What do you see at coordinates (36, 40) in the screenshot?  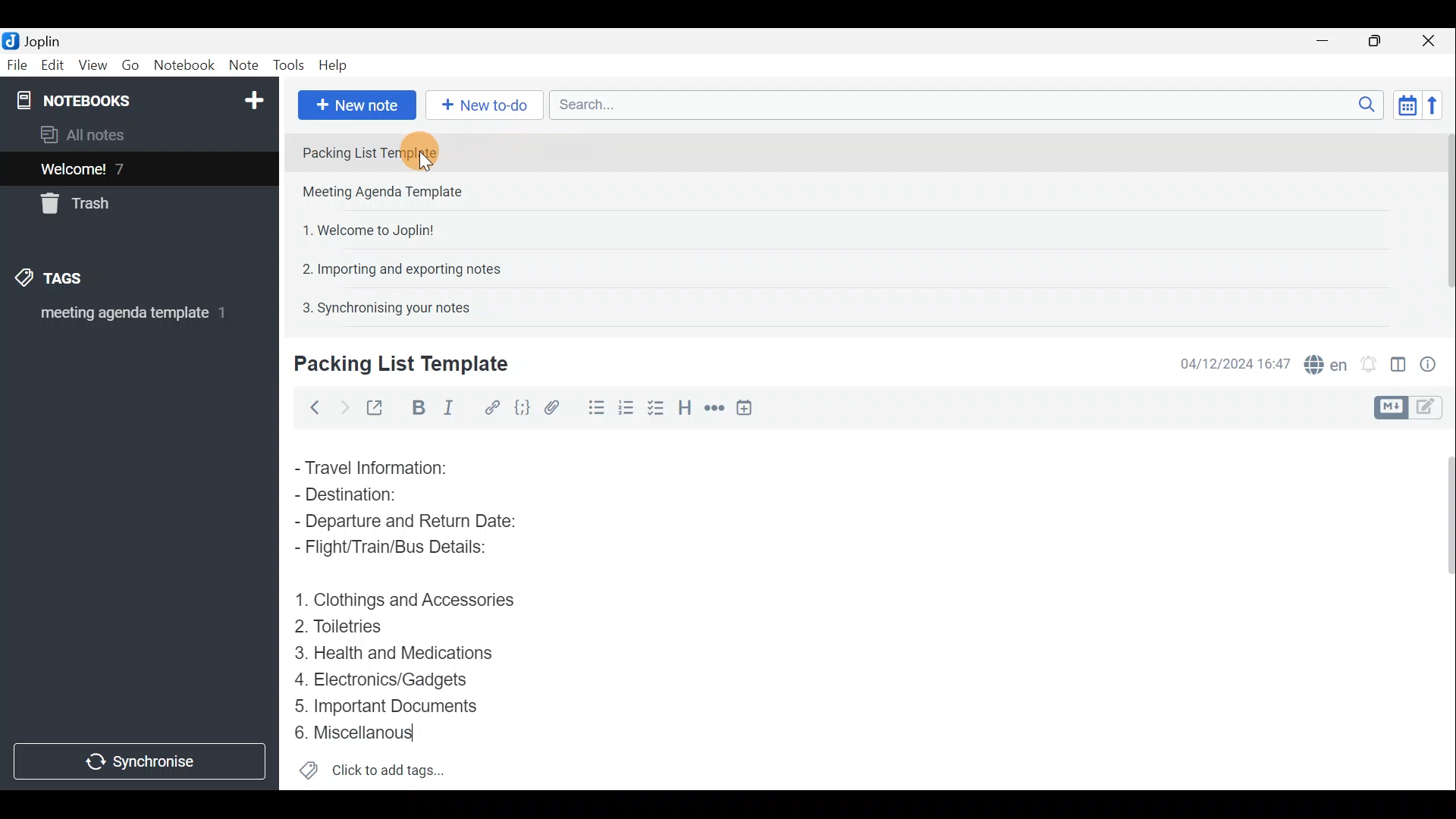 I see `Joplin` at bounding box center [36, 40].